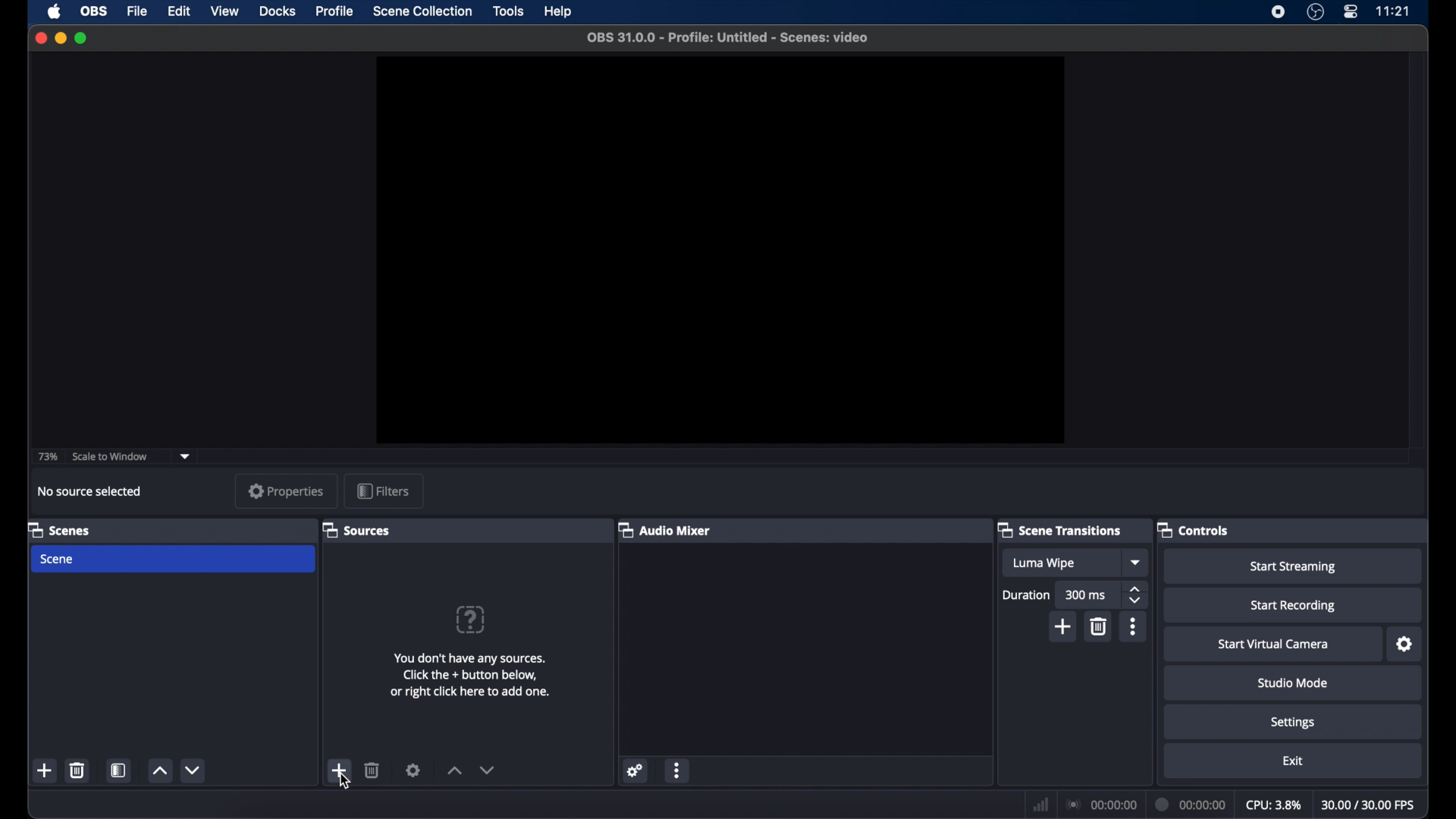  What do you see at coordinates (1103, 805) in the screenshot?
I see `connection` at bounding box center [1103, 805].